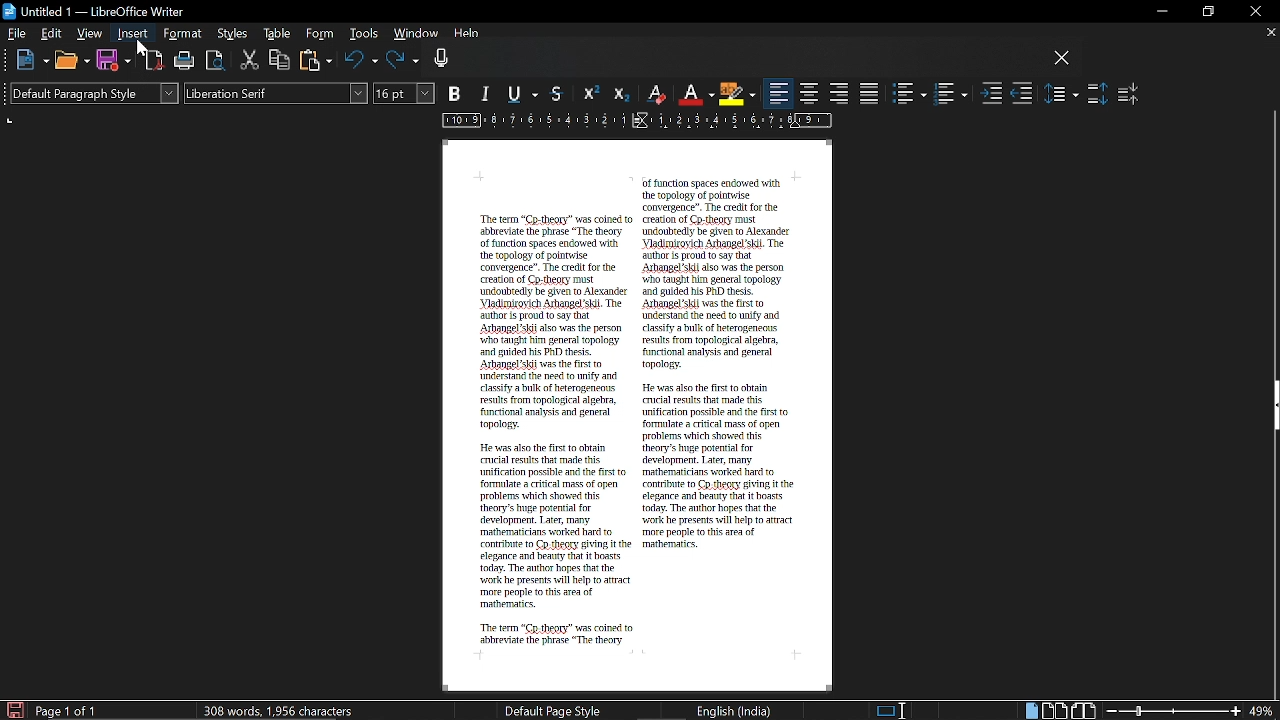 This screenshot has width=1280, height=720. What do you see at coordinates (53, 33) in the screenshot?
I see `Edit` at bounding box center [53, 33].